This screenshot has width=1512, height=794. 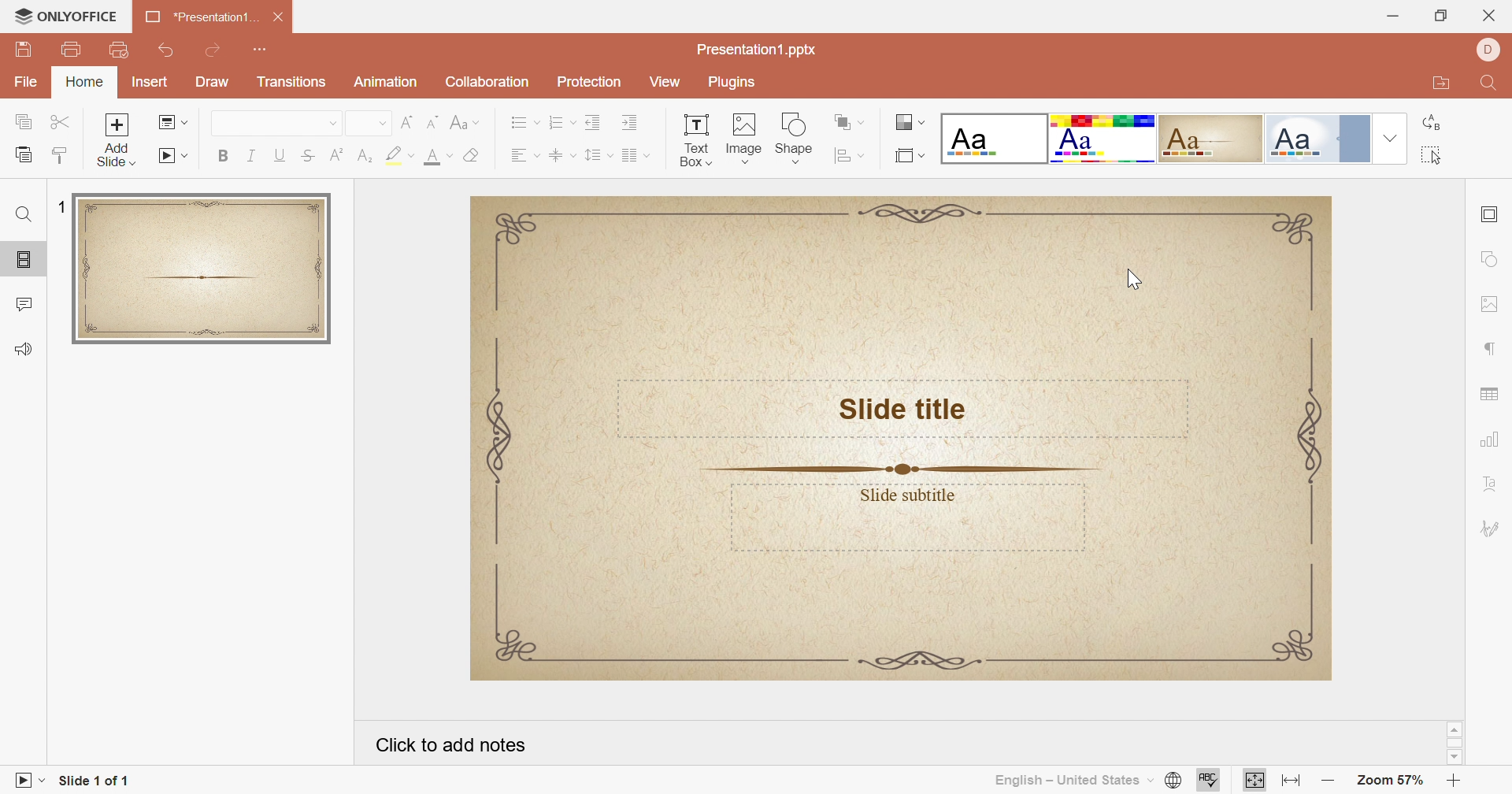 I want to click on Classic, so click(x=1212, y=139).